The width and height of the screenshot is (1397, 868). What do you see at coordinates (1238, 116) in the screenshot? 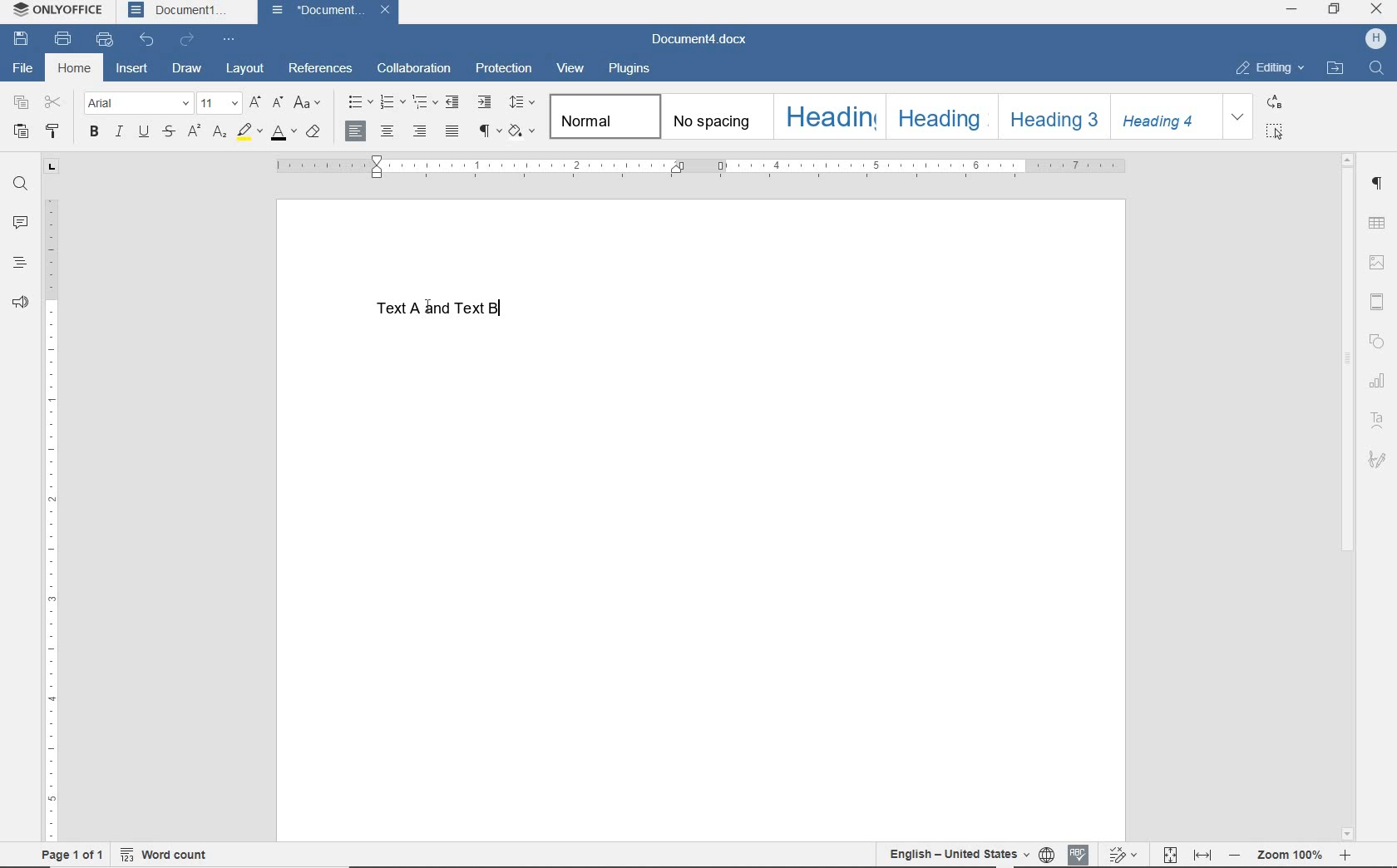
I see `EXPAND` at bounding box center [1238, 116].